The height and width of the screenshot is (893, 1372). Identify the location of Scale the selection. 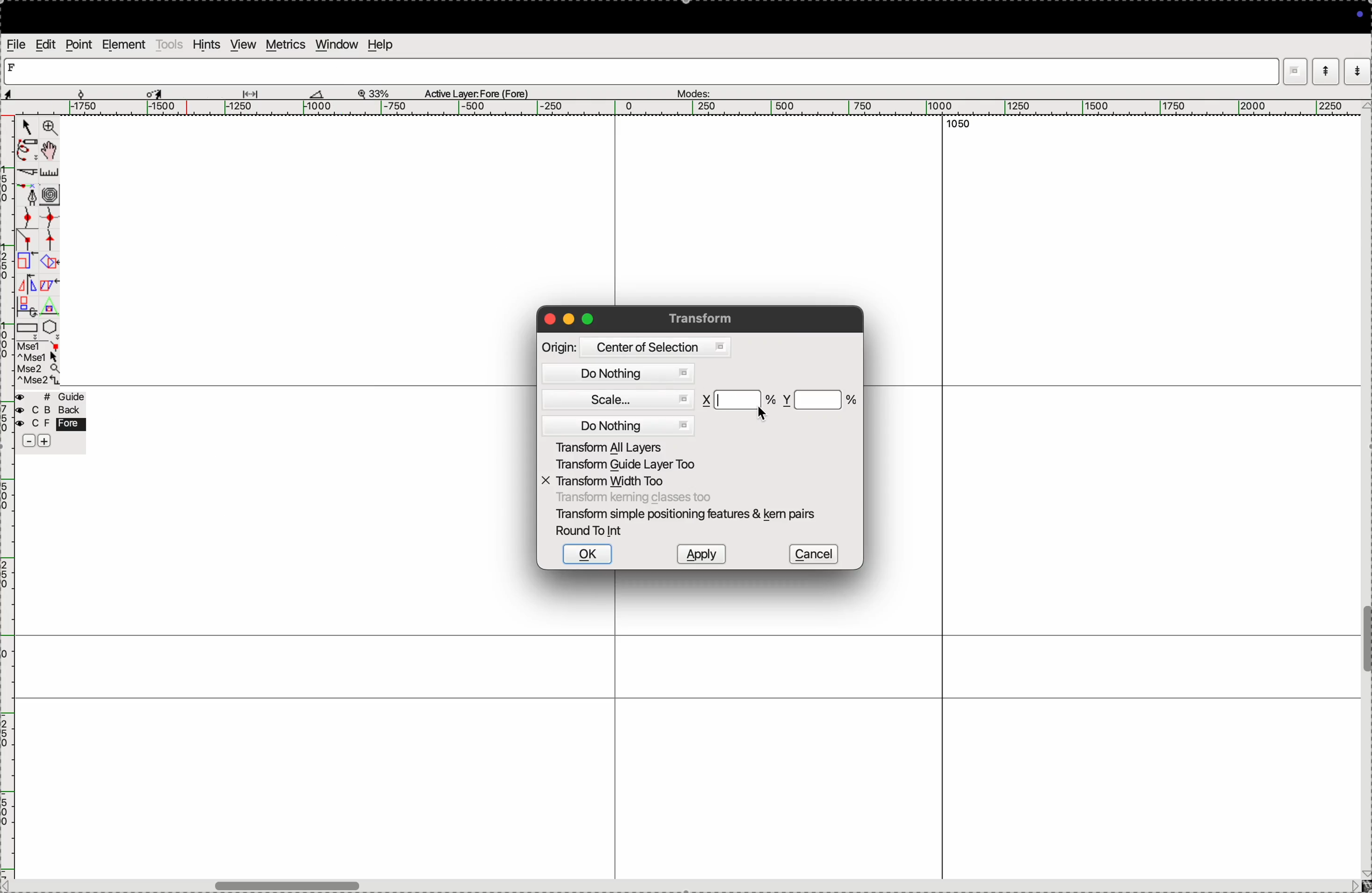
(27, 264).